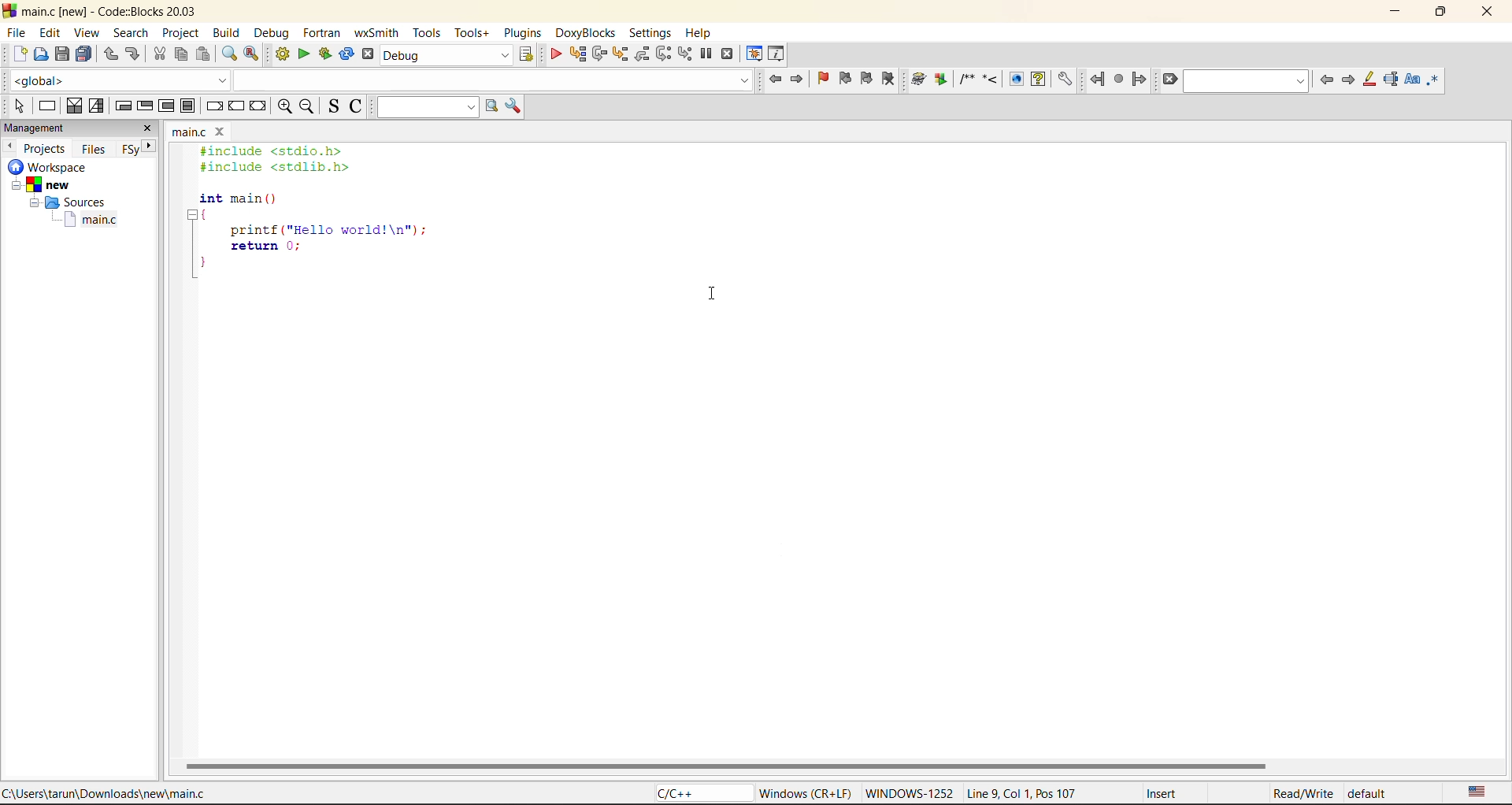 This screenshot has width=1512, height=805. I want to click on toggle bookmark, so click(825, 78).